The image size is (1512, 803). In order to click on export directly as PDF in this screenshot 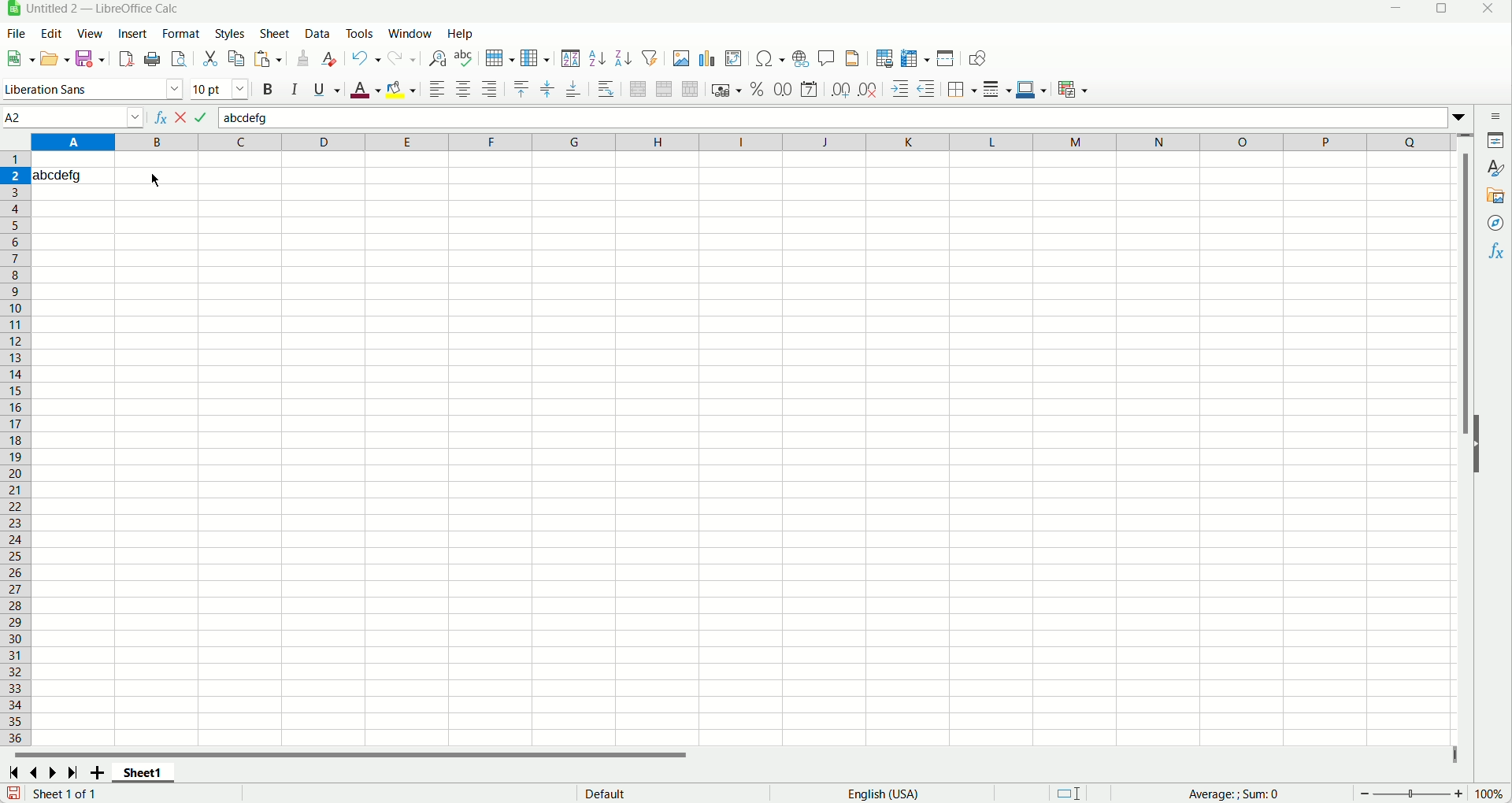, I will do `click(125, 59)`.